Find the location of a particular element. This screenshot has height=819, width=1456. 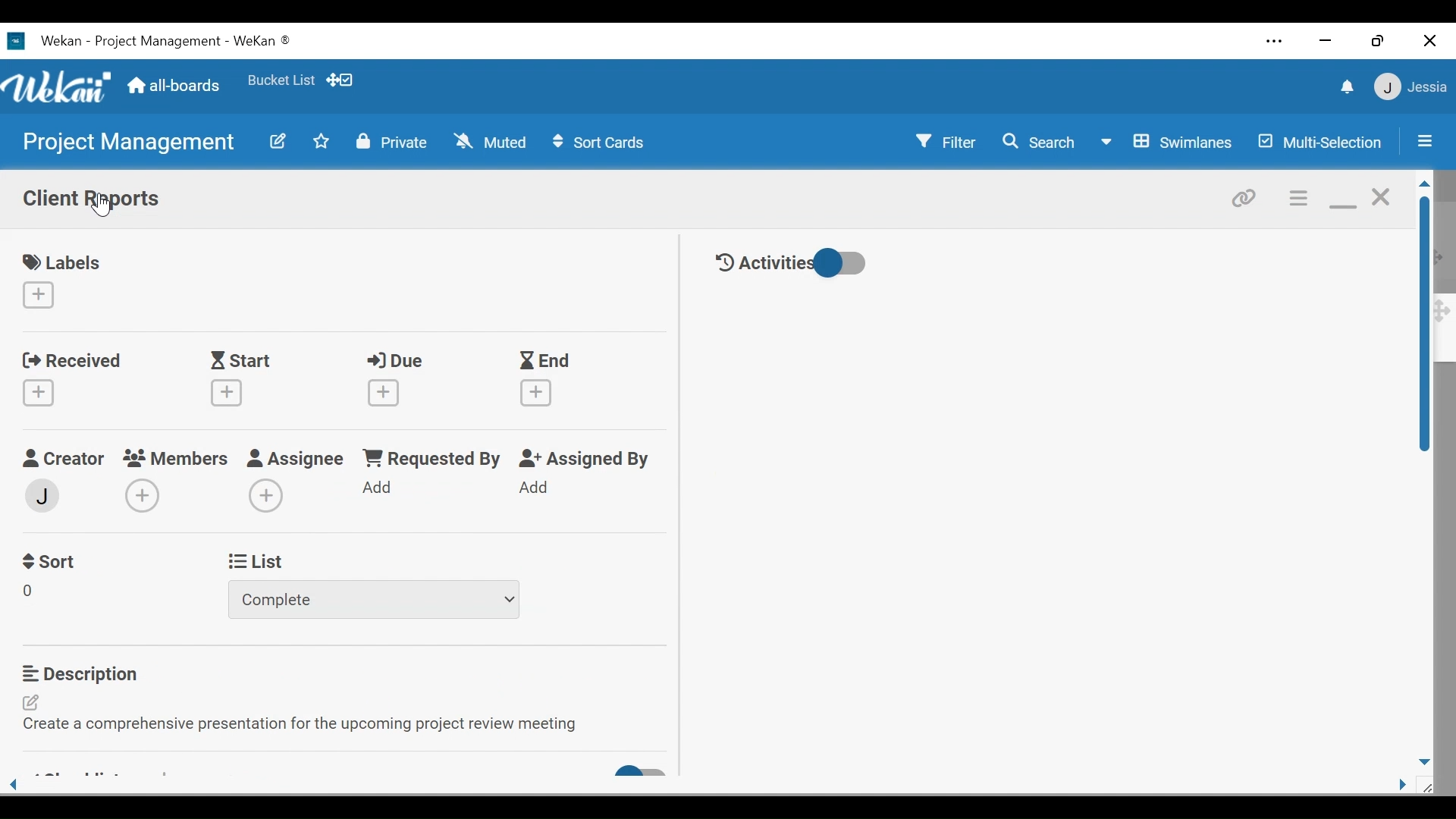

All boards is located at coordinates (177, 87).